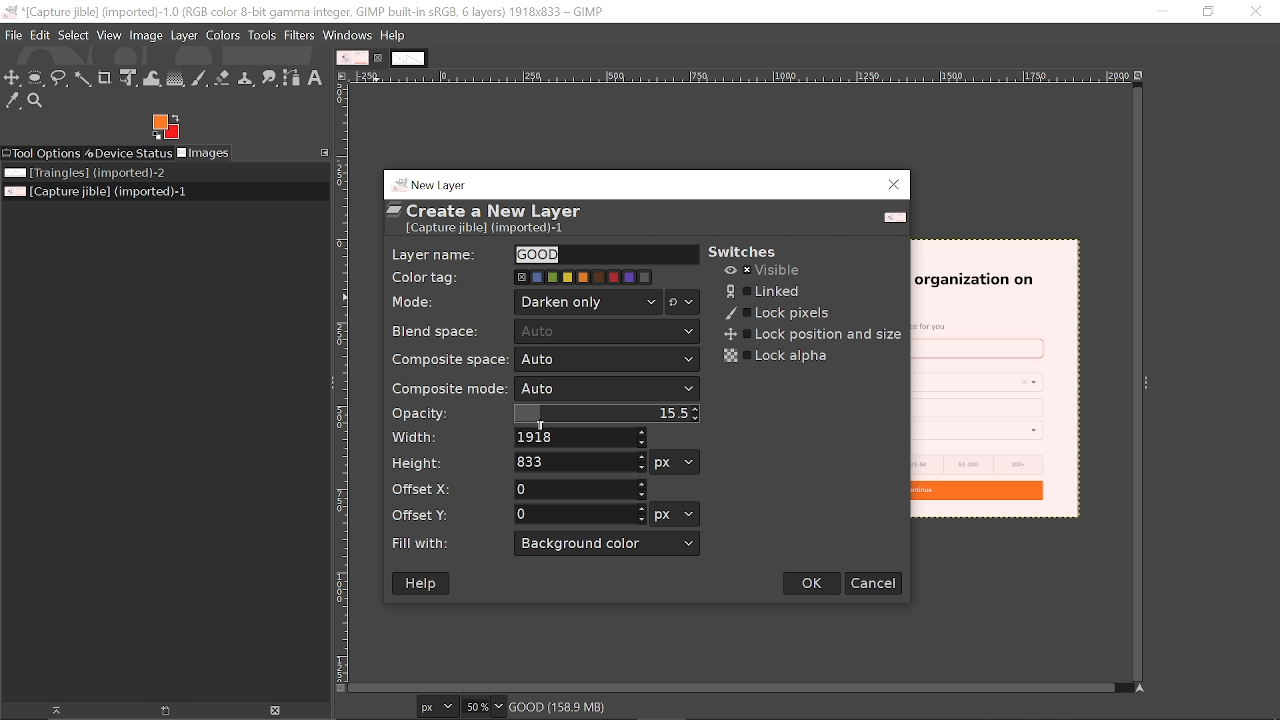 The width and height of the screenshot is (1280, 720). What do you see at coordinates (421, 414) in the screenshot?
I see `Opacity:` at bounding box center [421, 414].